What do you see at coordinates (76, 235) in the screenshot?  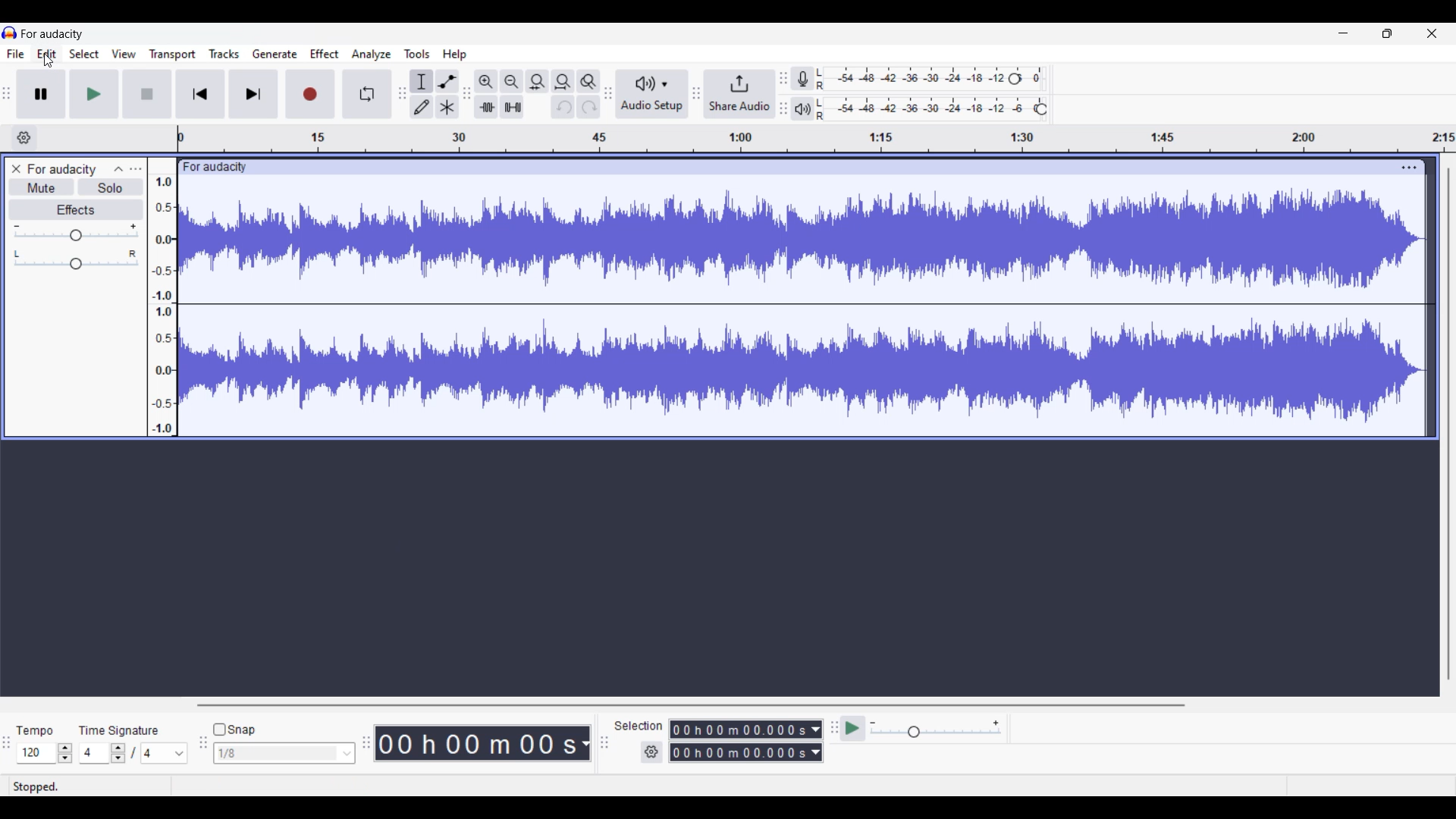 I see `Header to change volume` at bounding box center [76, 235].